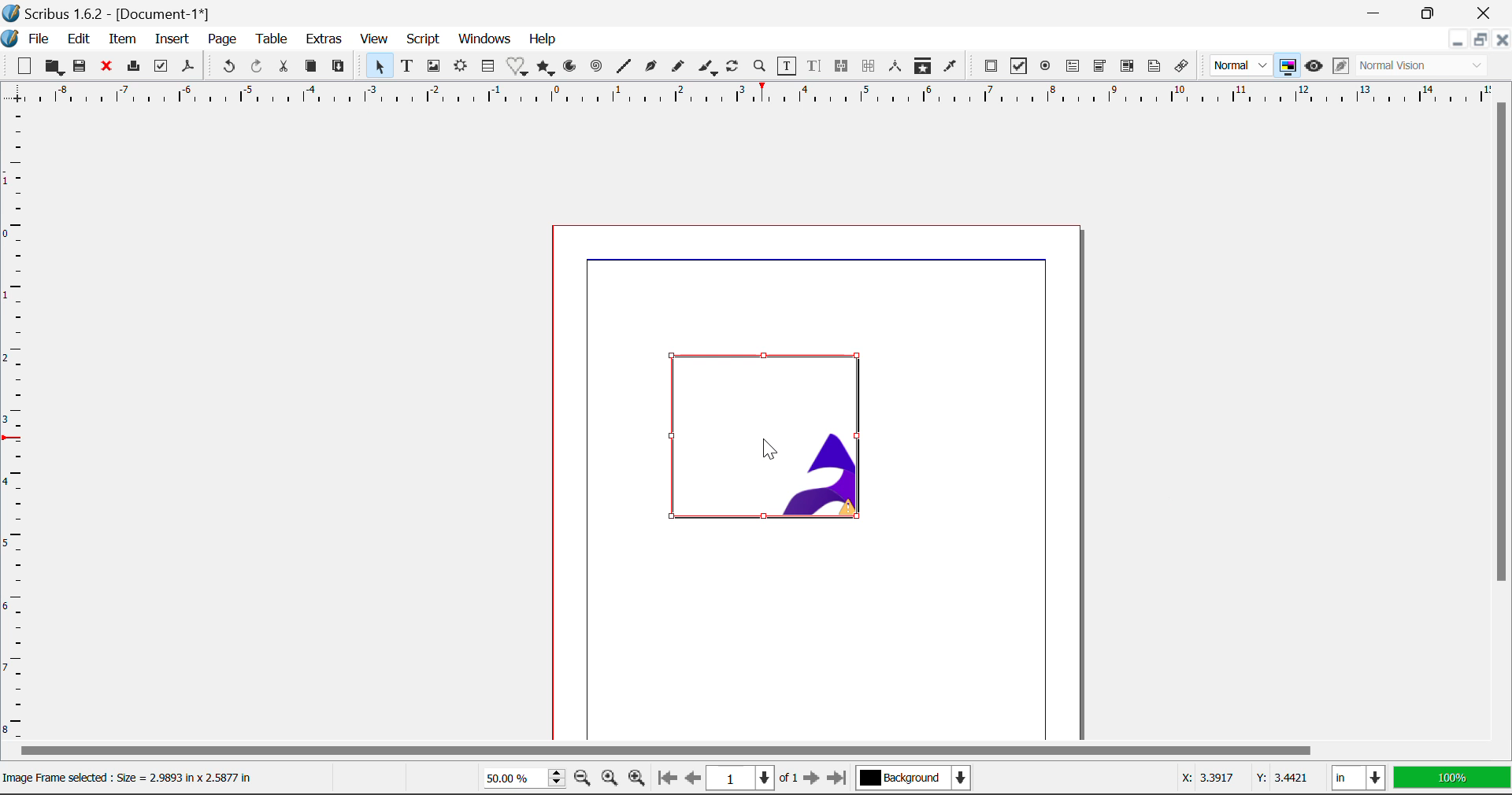 This screenshot has width=1512, height=795. What do you see at coordinates (869, 66) in the screenshot?
I see `Unlink Text Frames` at bounding box center [869, 66].